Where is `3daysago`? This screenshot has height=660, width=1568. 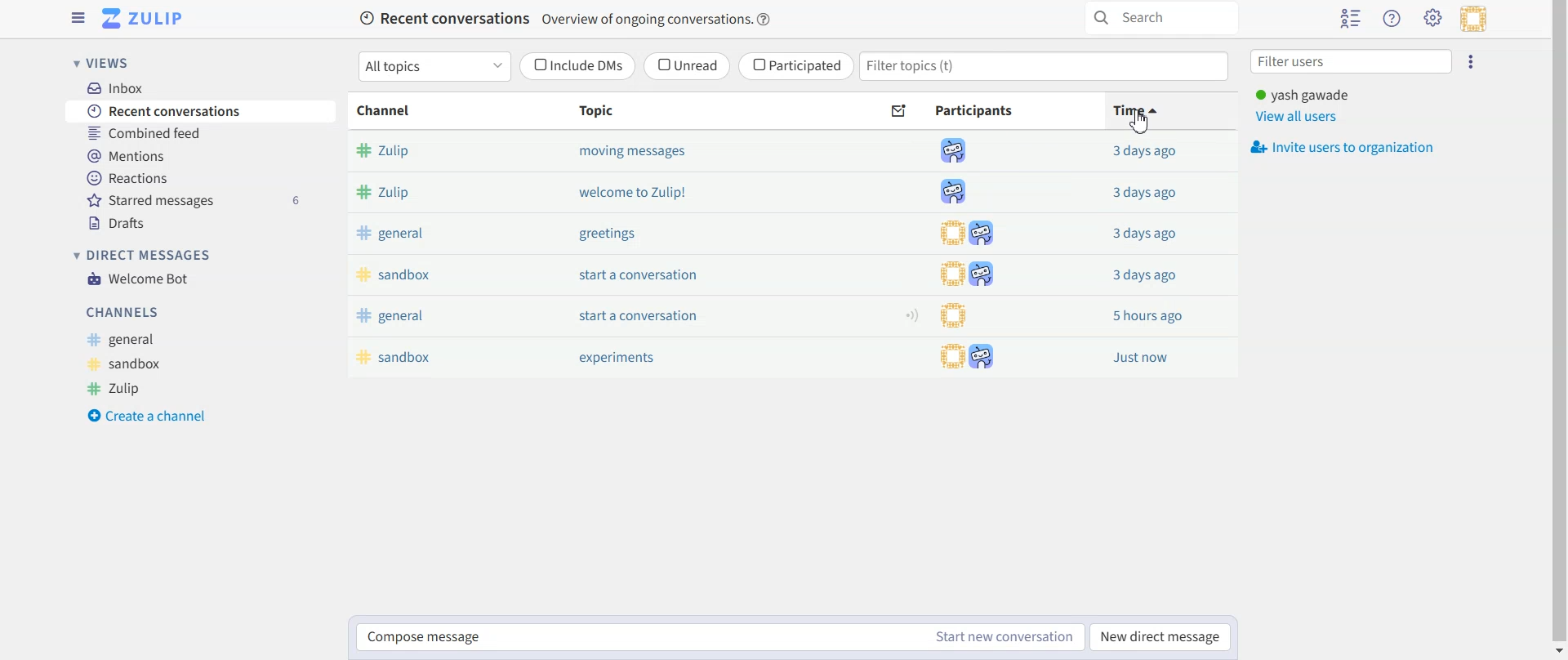
3daysago is located at coordinates (1149, 234).